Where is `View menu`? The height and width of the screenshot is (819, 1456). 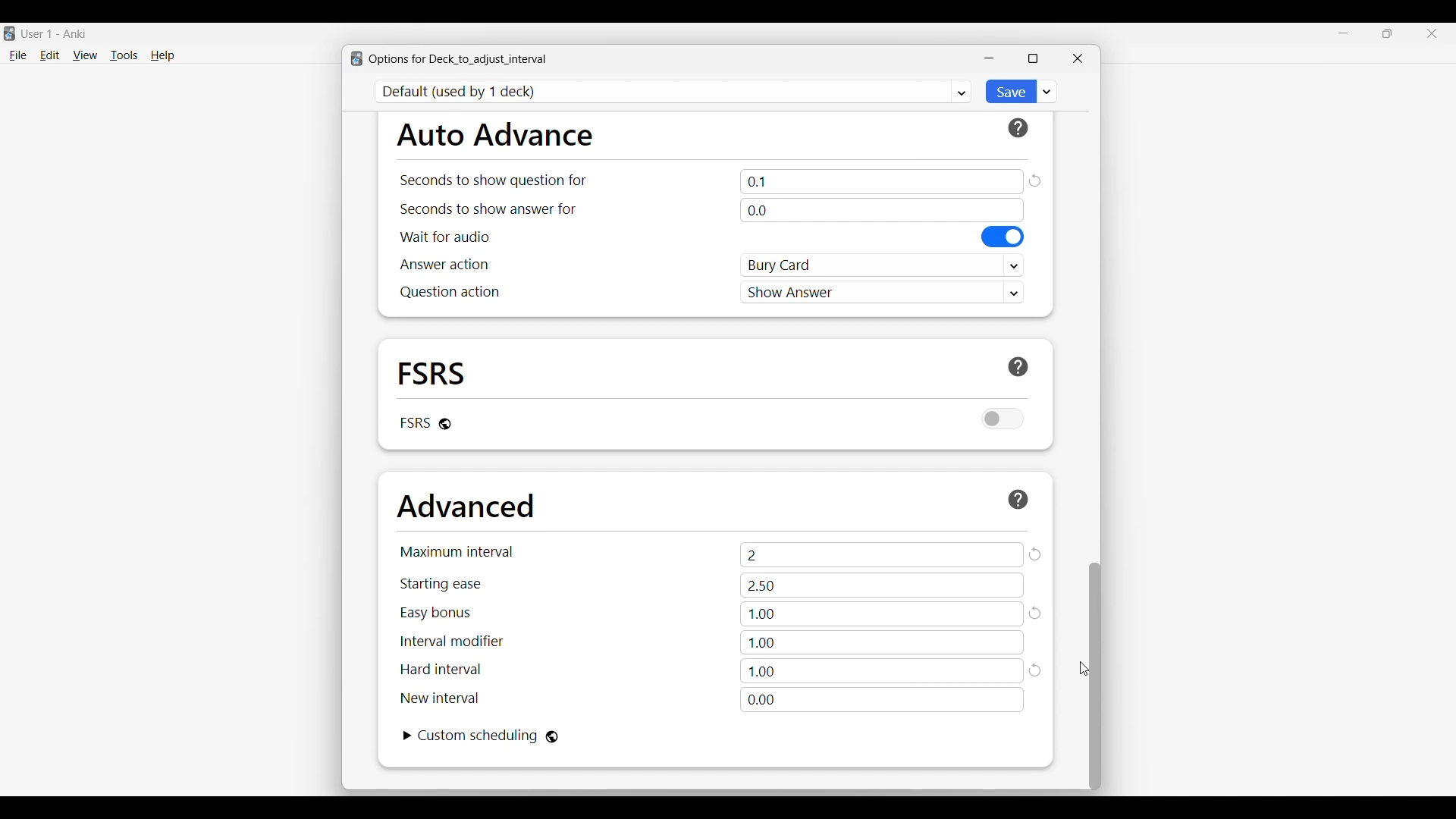
View menu is located at coordinates (85, 55).